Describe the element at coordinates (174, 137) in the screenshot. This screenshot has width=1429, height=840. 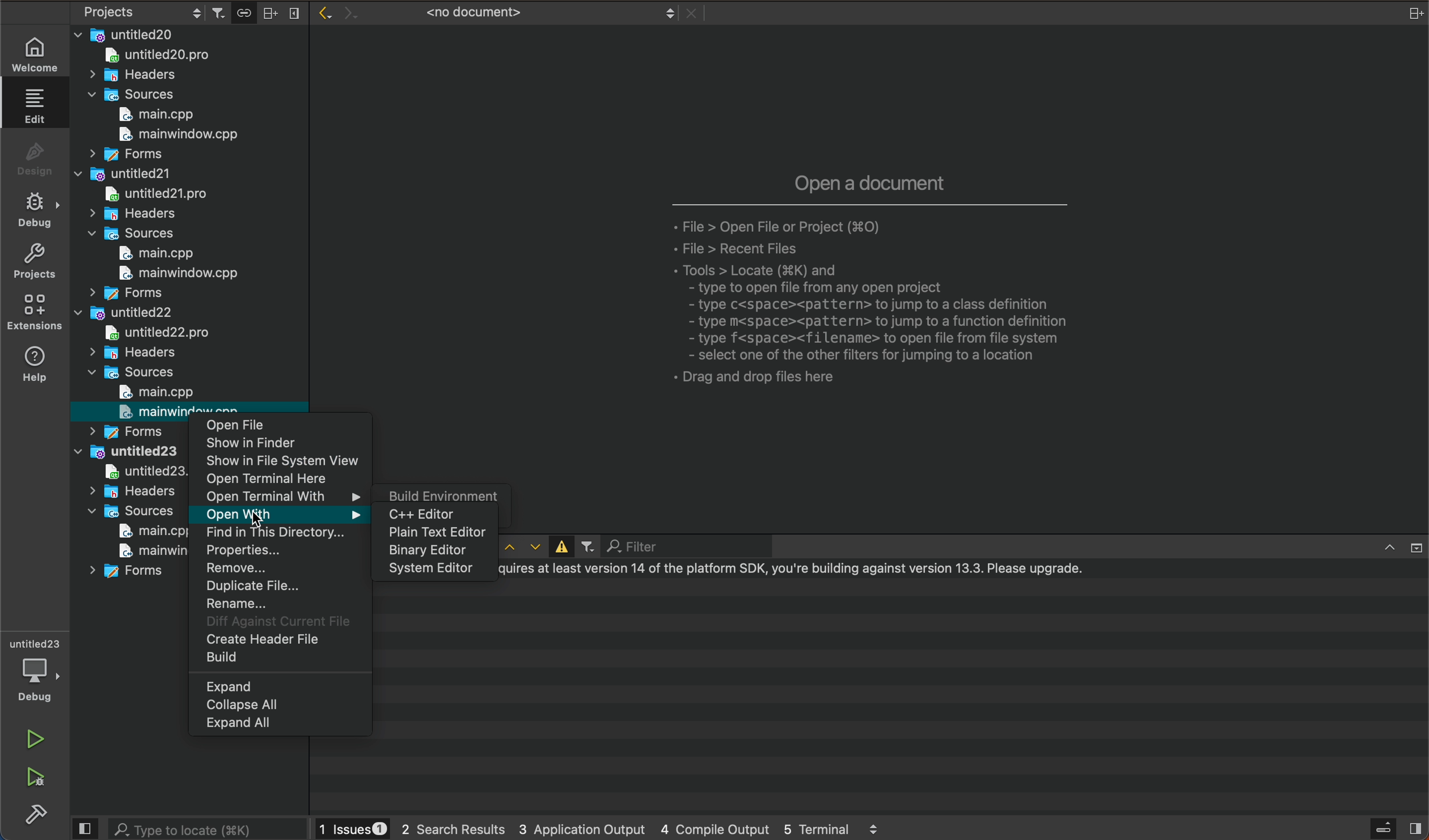
I see `mainwindow.cpp` at that location.